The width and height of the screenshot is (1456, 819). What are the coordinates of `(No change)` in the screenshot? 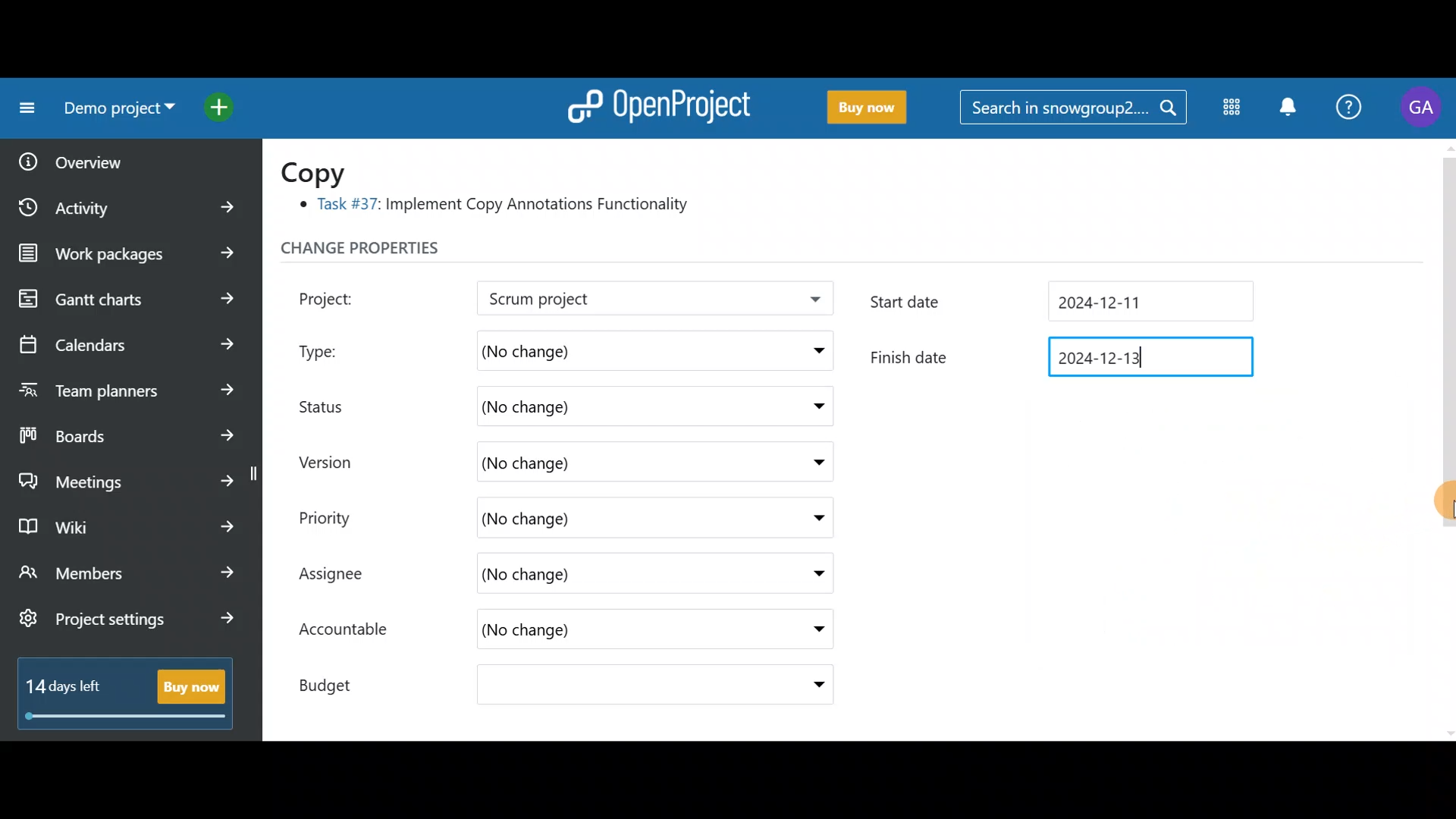 It's located at (582, 632).